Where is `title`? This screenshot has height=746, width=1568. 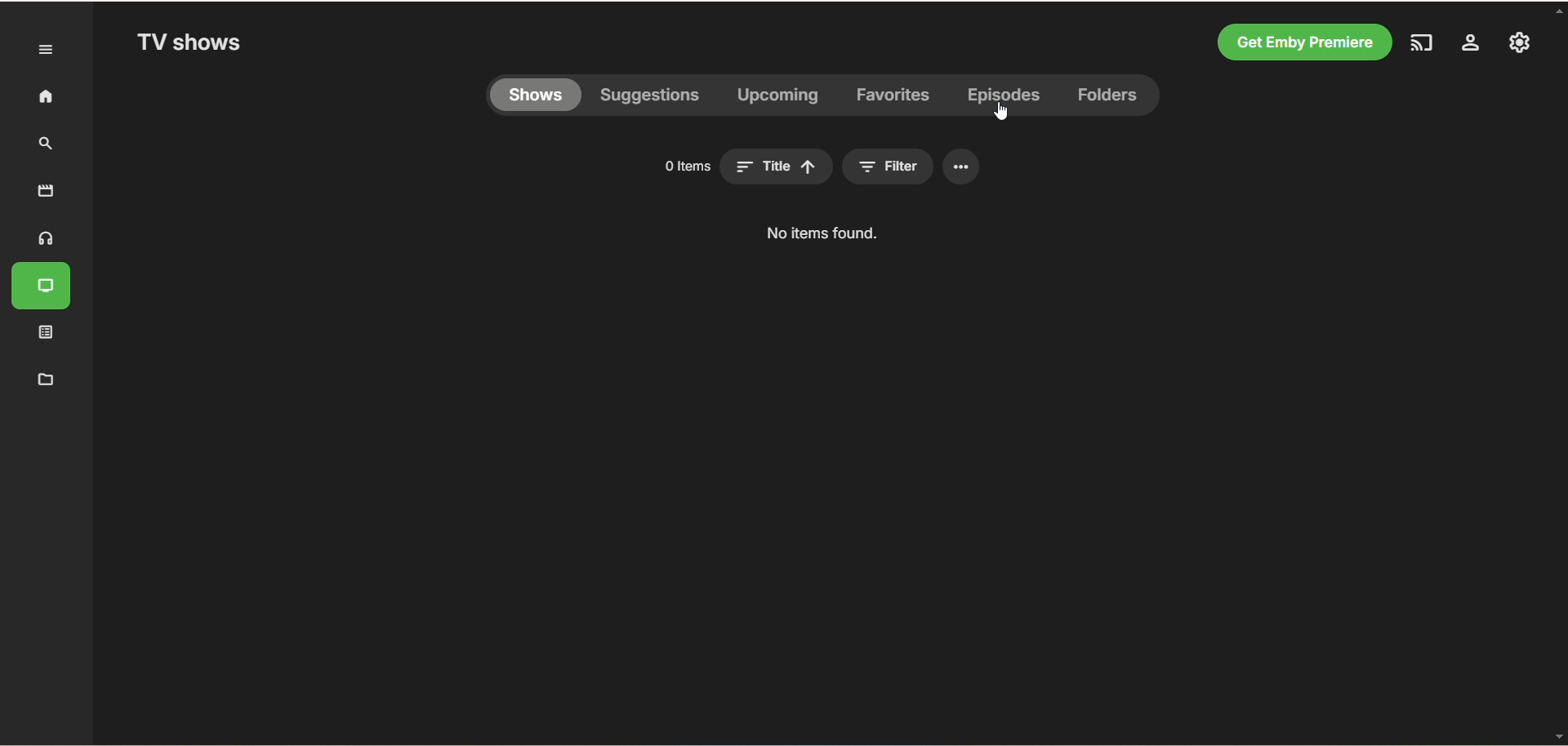 title is located at coordinates (780, 167).